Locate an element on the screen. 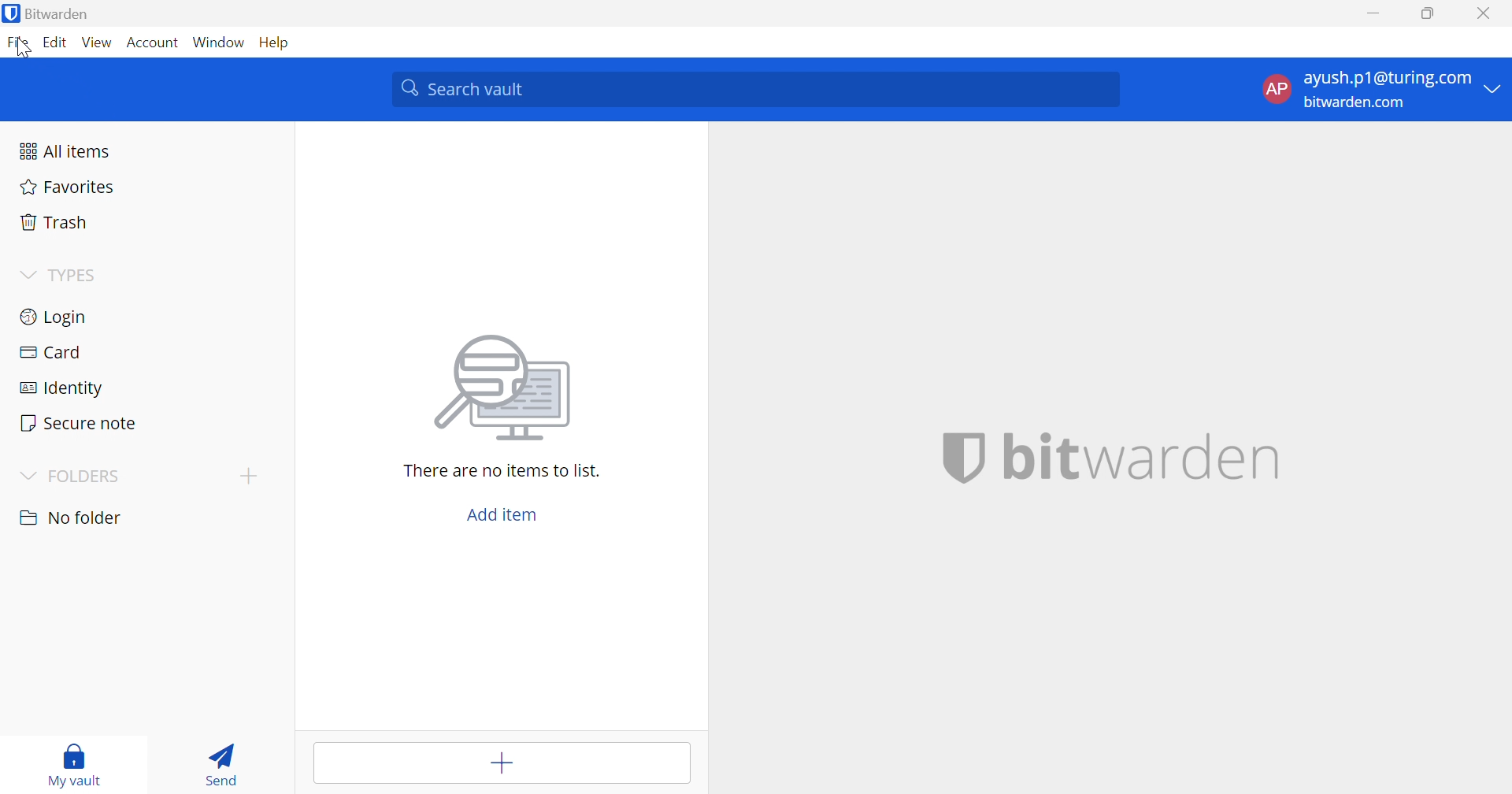 The height and width of the screenshot is (794, 1512). Add tem is located at coordinates (505, 763).